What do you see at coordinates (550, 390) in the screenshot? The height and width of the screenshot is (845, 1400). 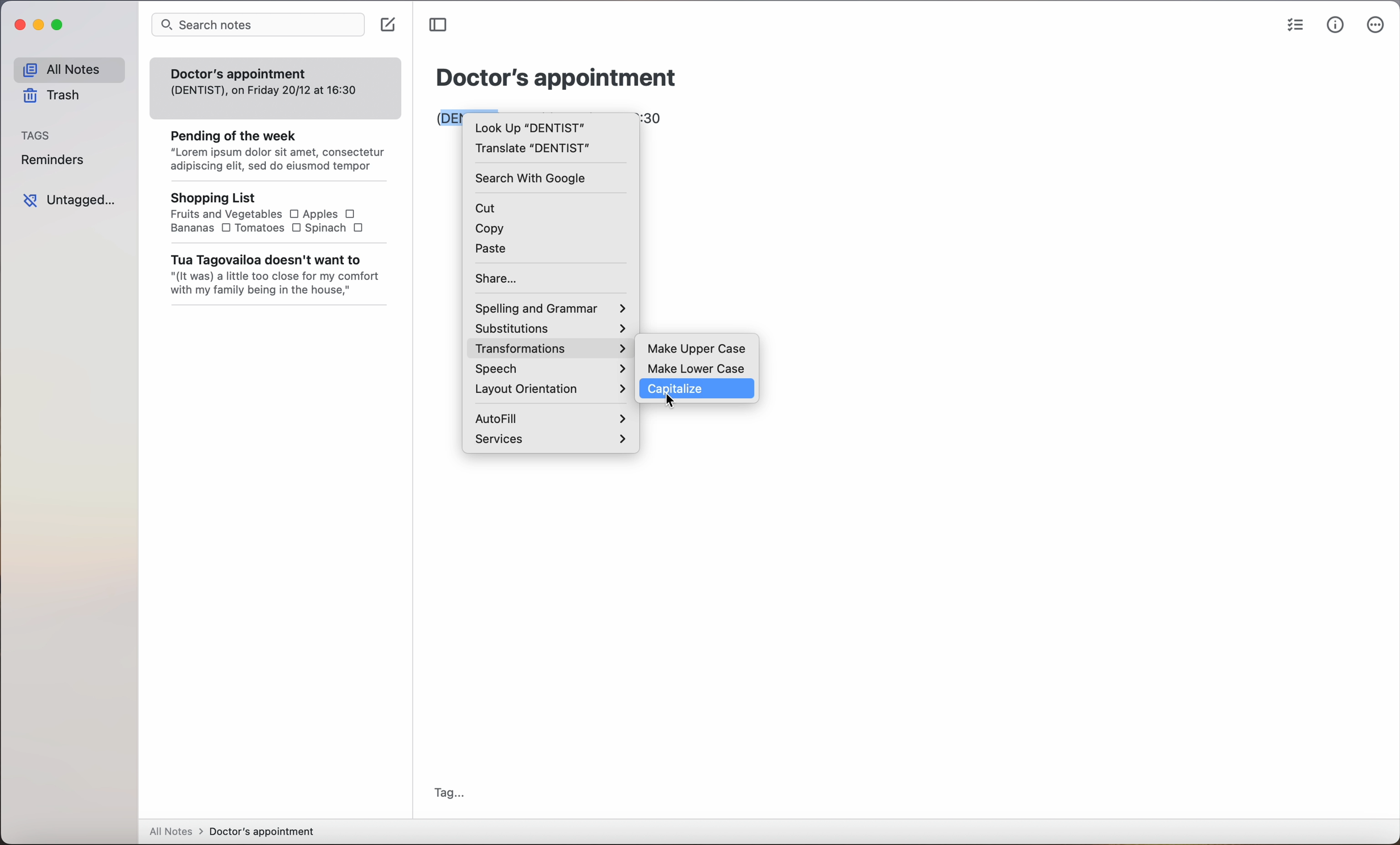 I see `layout orientarion` at bounding box center [550, 390].